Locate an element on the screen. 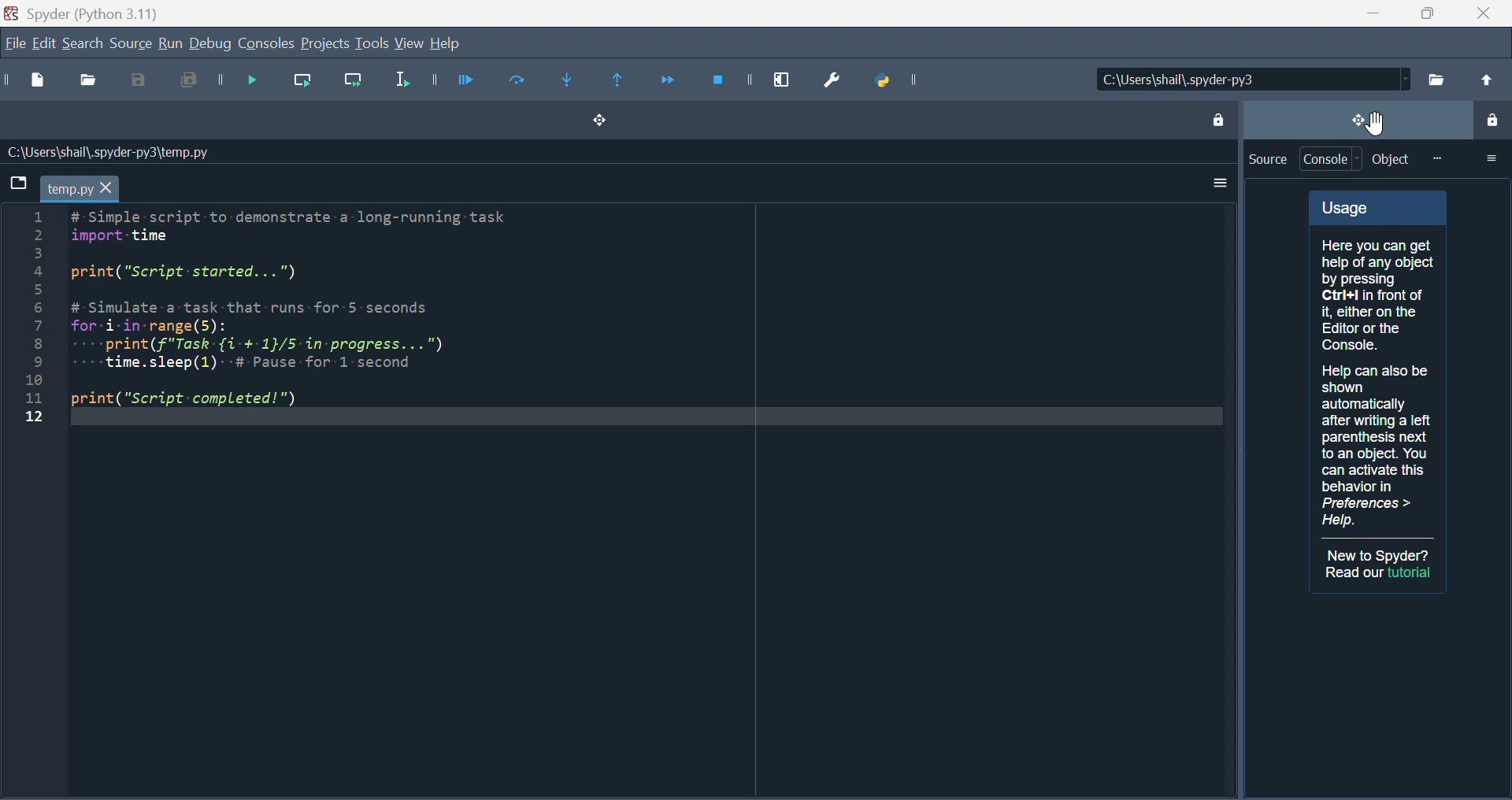 This screenshot has height=800, width=1512. Object is located at coordinates (1392, 159).